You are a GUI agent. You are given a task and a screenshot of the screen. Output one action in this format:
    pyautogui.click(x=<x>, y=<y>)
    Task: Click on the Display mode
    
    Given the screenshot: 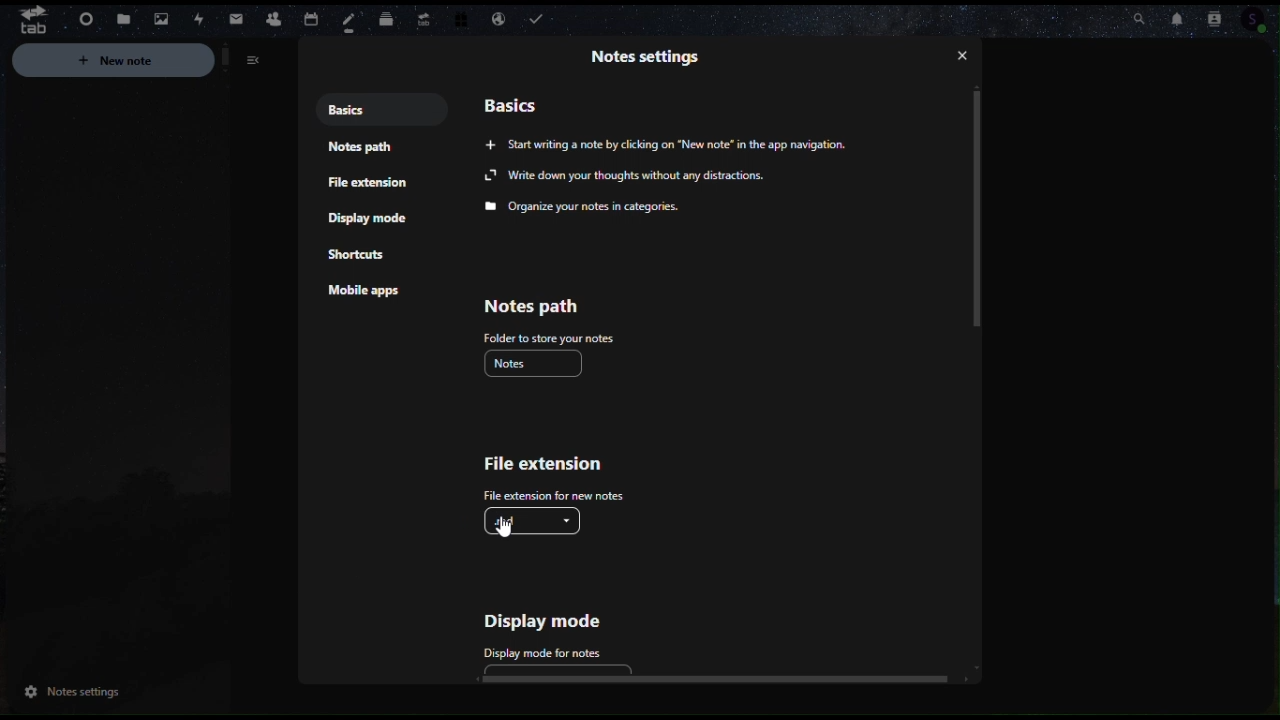 What is the action you would take?
    pyautogui.click(x=371, y=219)
    